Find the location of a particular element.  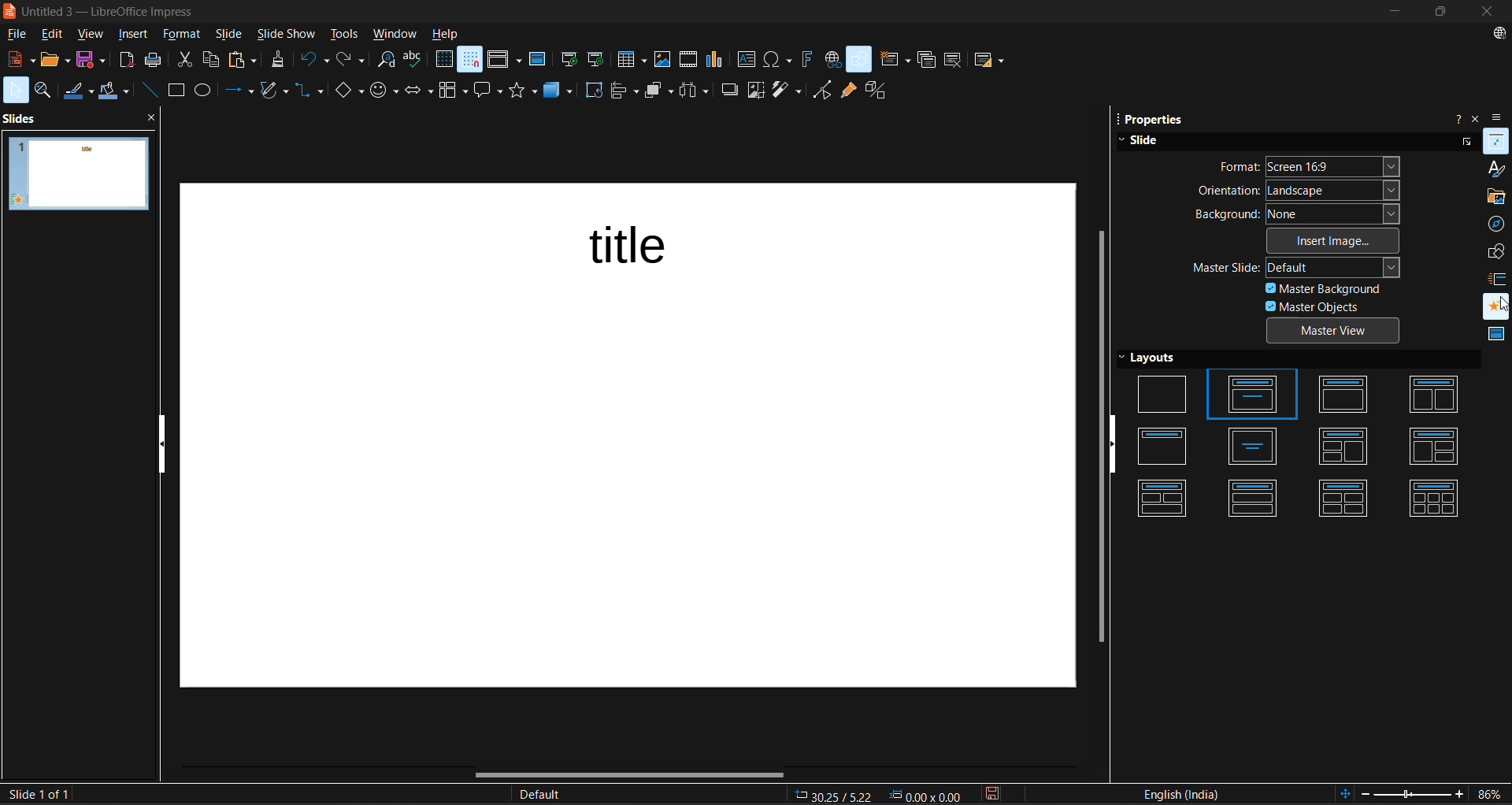

rotate is located at coordinates (595, 91).